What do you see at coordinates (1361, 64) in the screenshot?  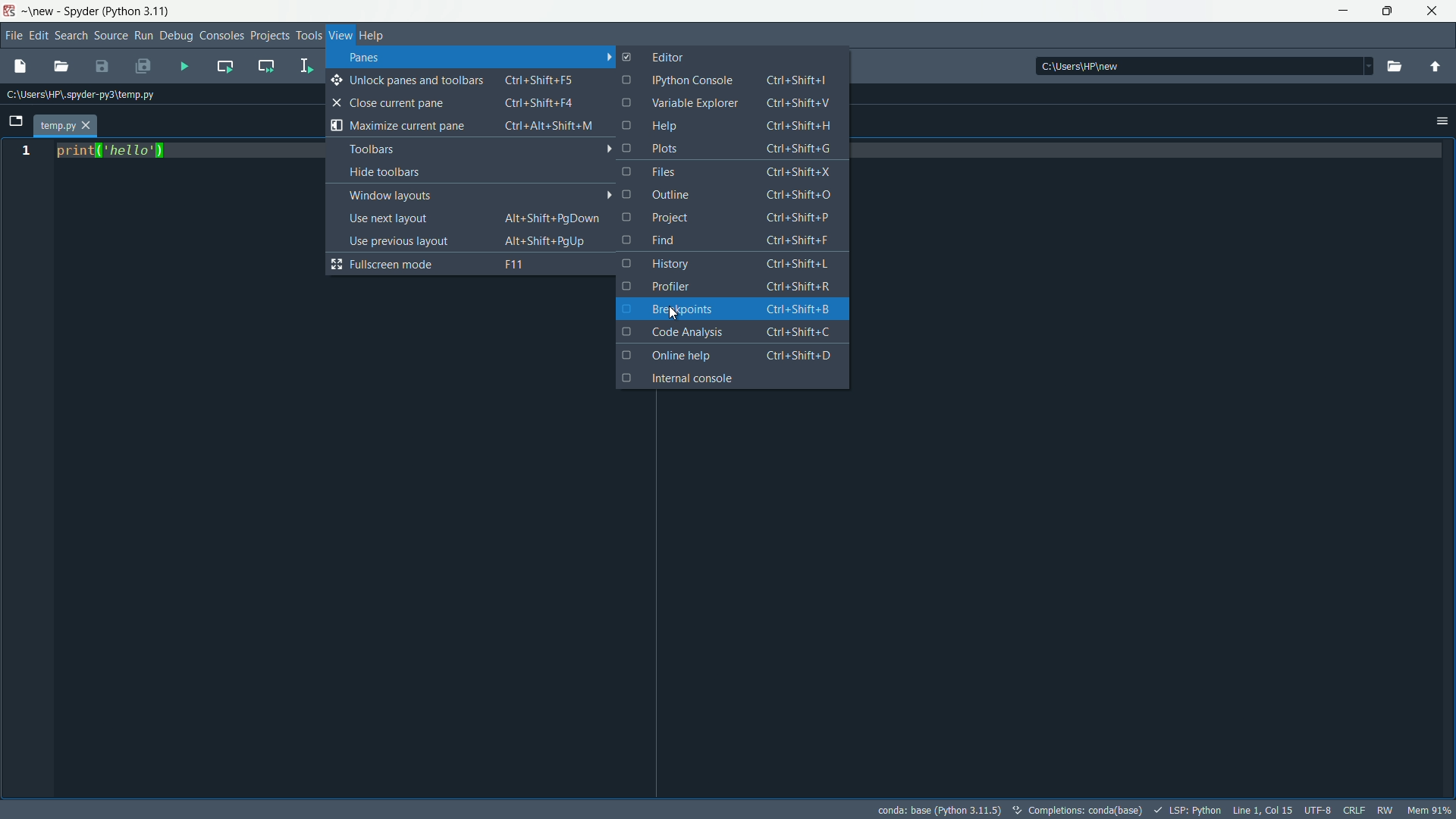 I see `dropdown` at bounding box center [1361, 64].